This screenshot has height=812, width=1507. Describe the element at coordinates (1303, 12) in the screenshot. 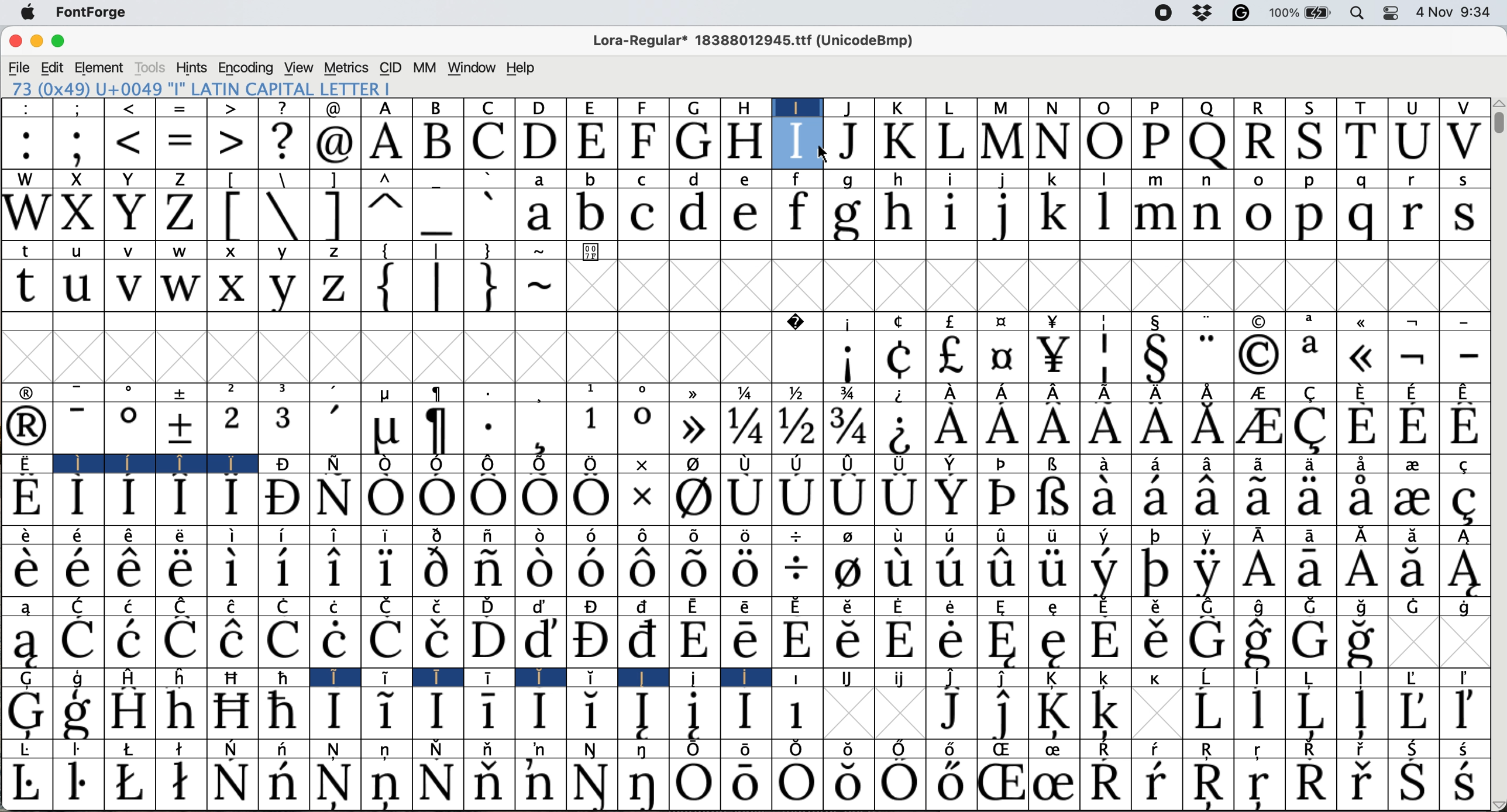

I see `battery 100%` at that location.